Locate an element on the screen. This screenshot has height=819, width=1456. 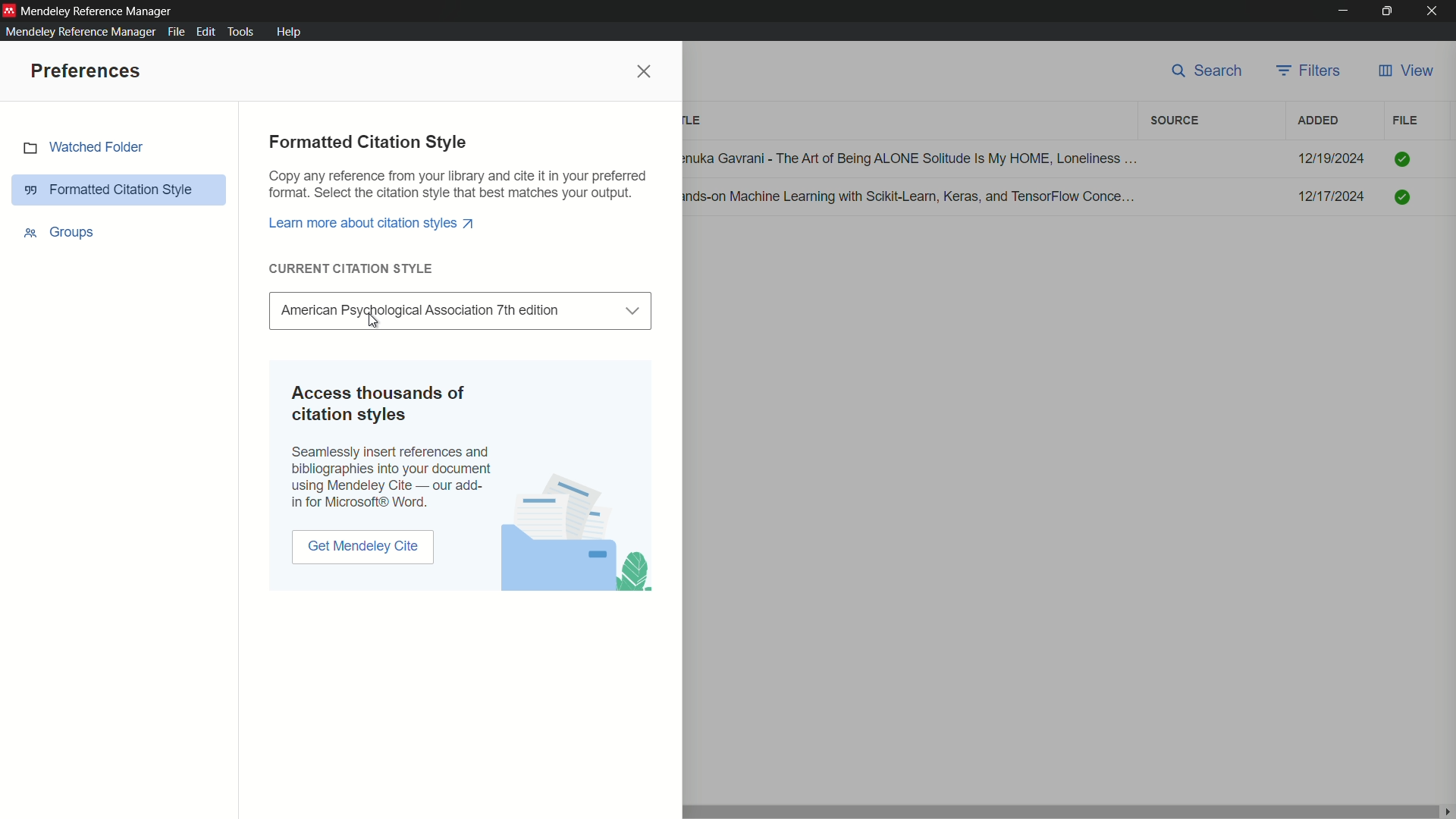
get mendeley cite is located at coordinates (362, 549).